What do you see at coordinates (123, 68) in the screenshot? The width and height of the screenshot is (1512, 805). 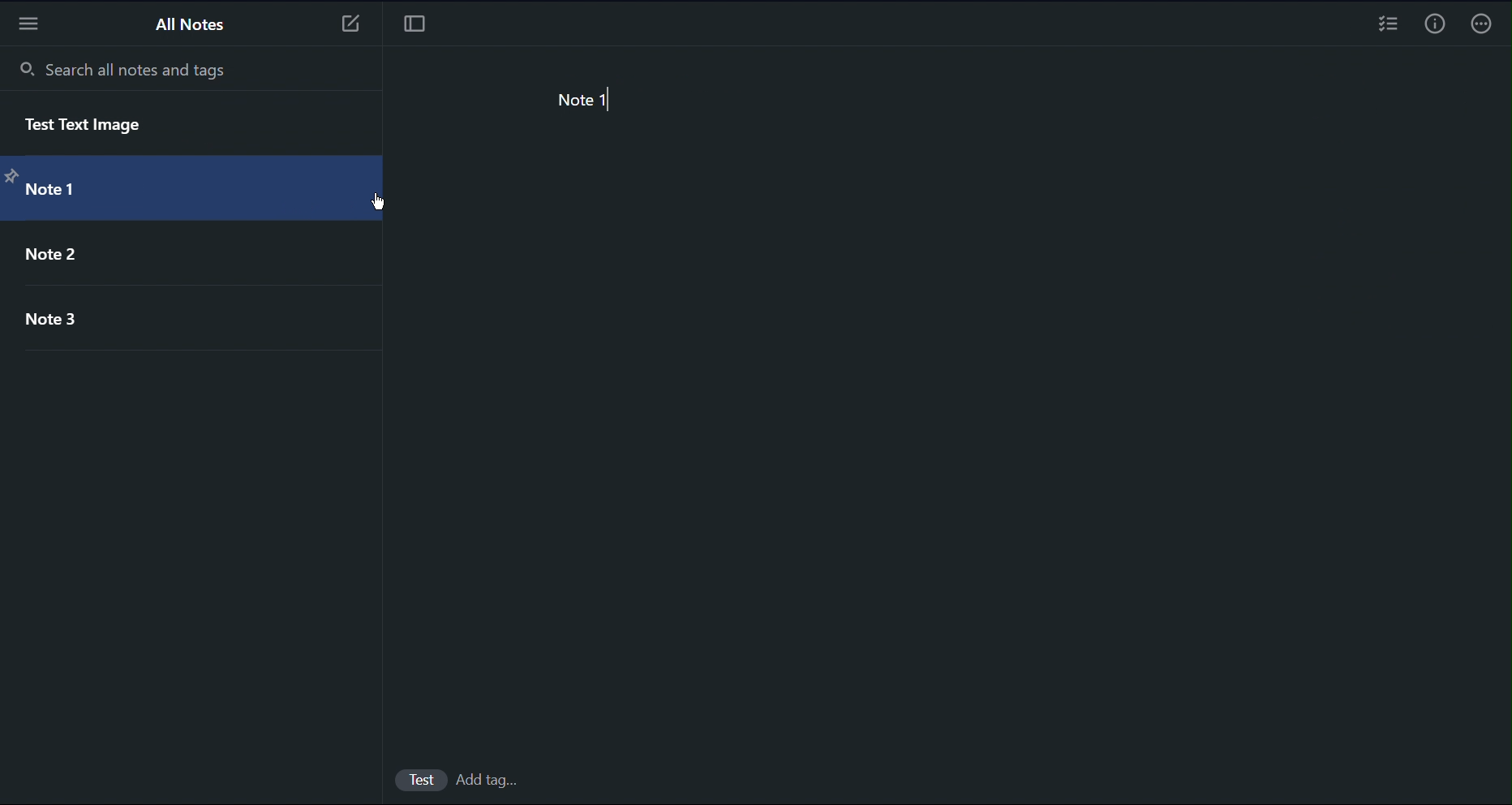 I see `Search all notes and tags` at bounding box center [123, 68].